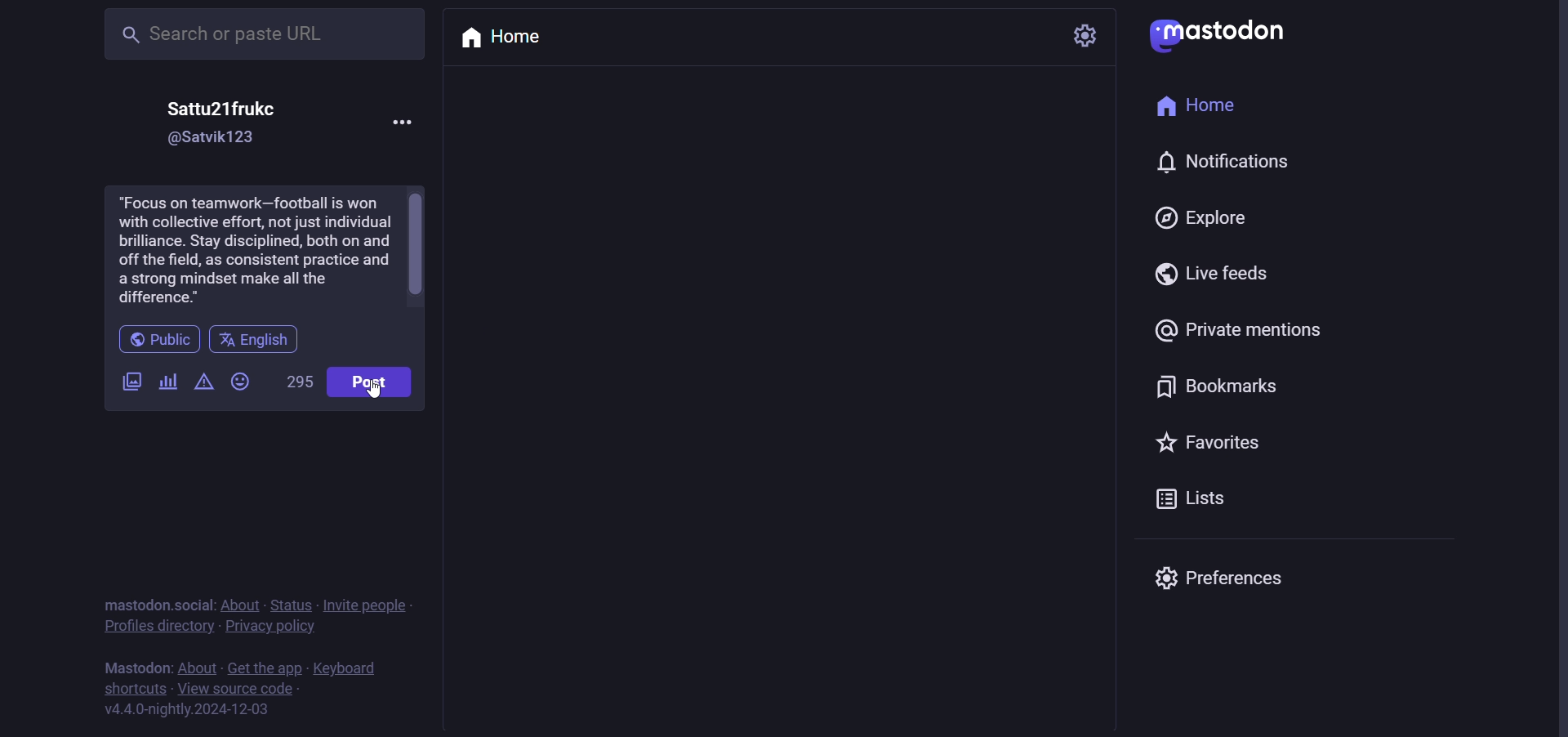  What do you see at coordinates (1213, 274) in the screenshot?
I see `live feeds` at bounding box center [1213, 274].